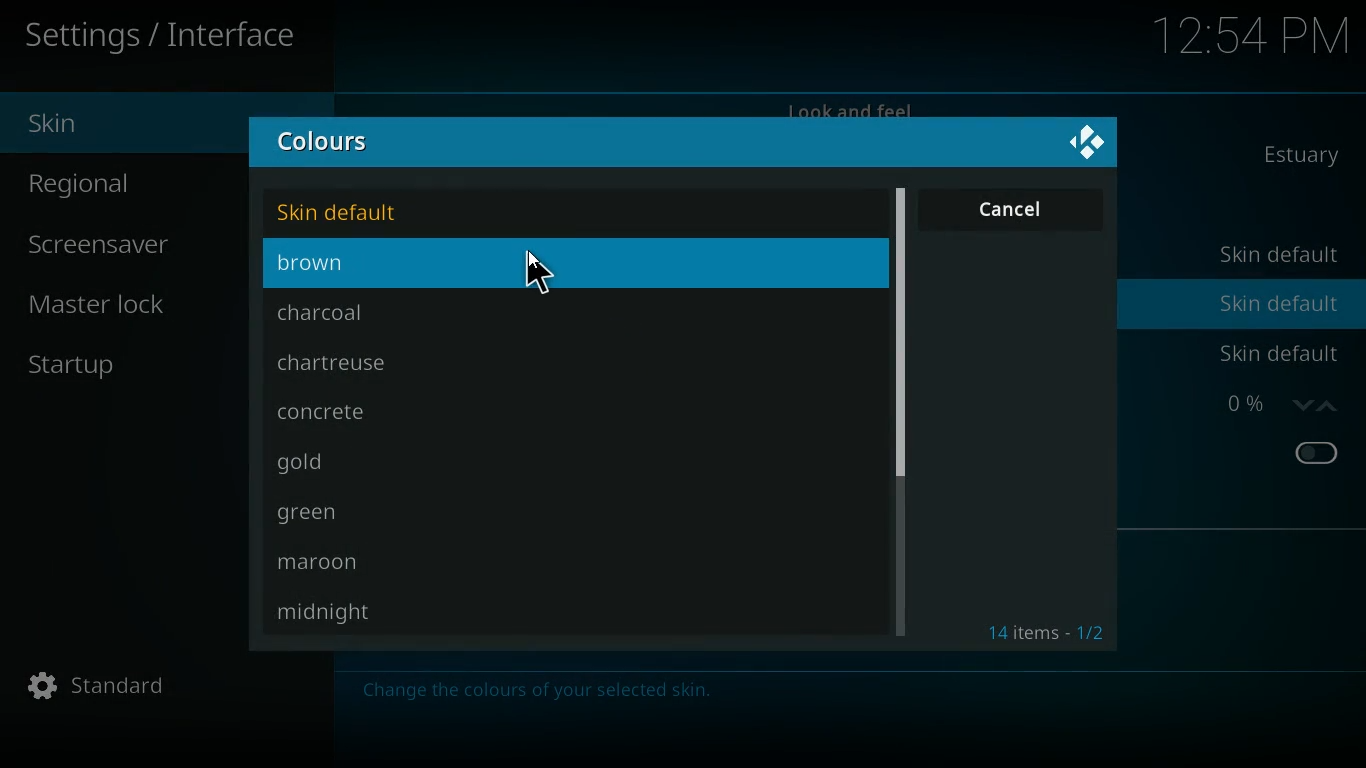  I want to click on midnight, so click(334, 614).